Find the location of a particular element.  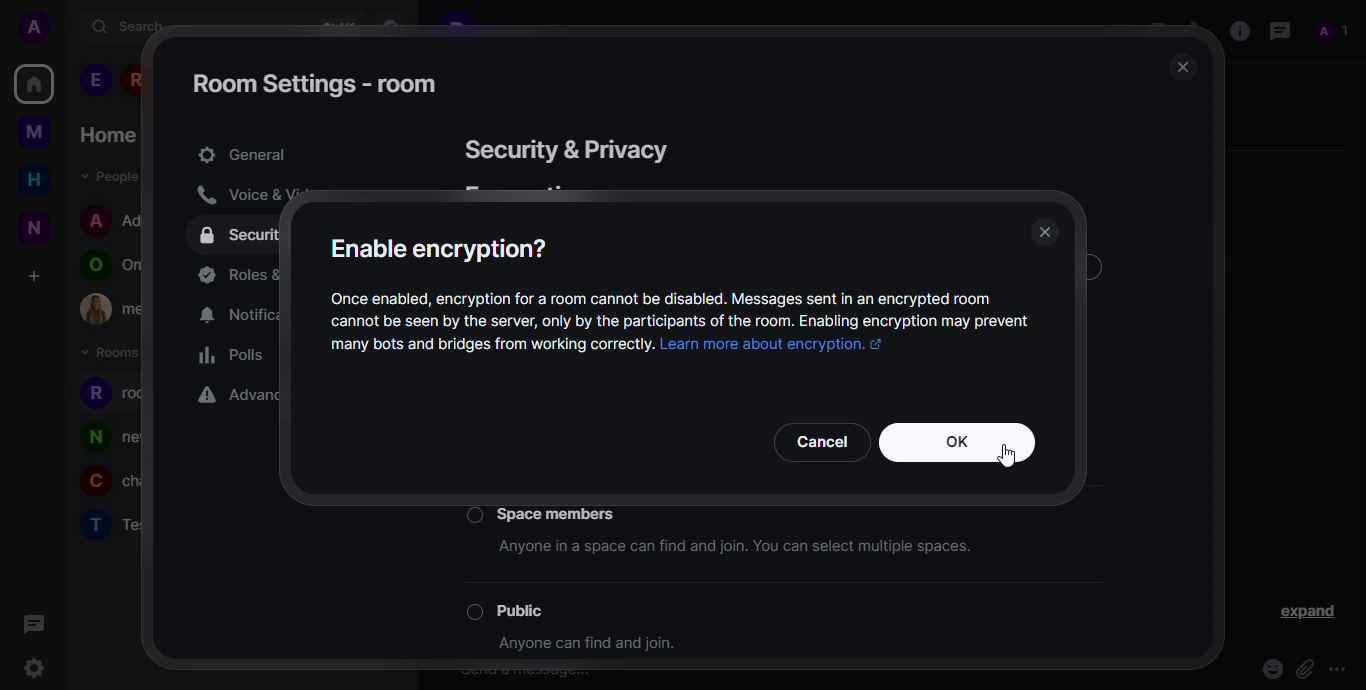

select is located at coordinates (471, 612).